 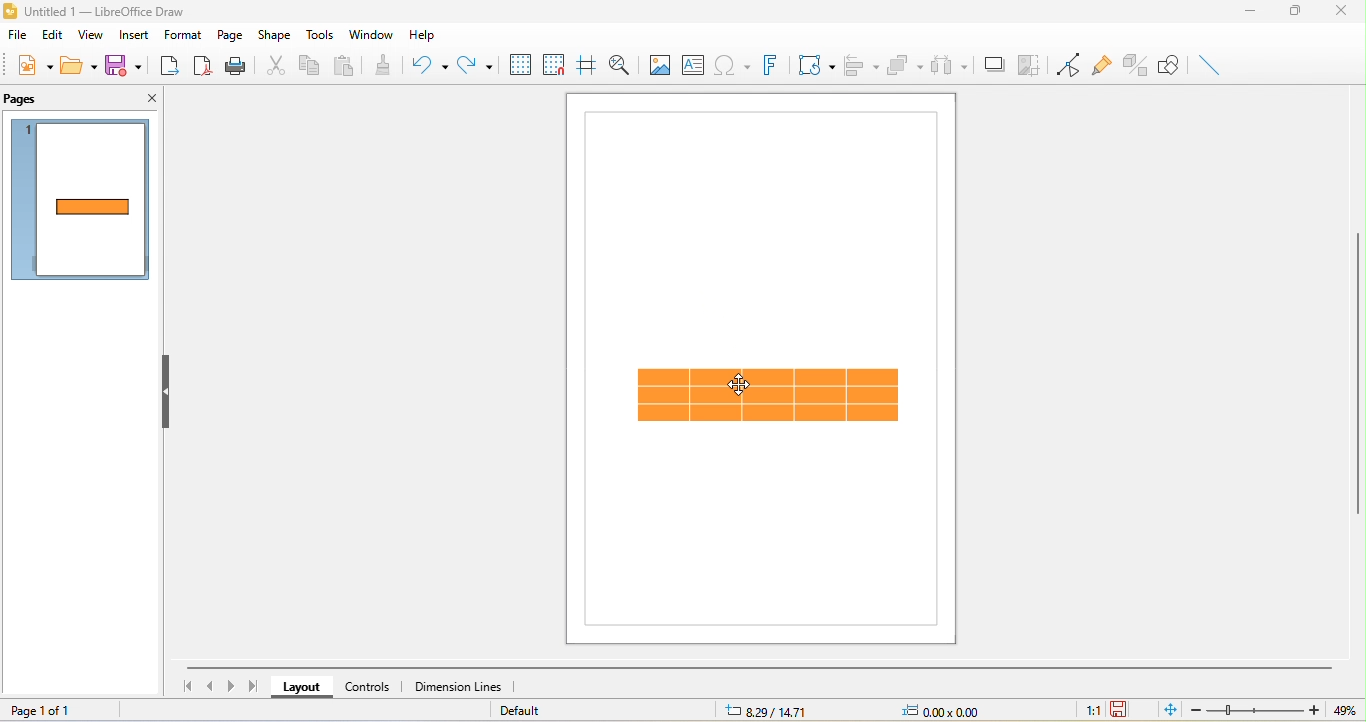 What do you see at coordinates (1104, 64) in the screenshot?
I see `gluepoint function` at bounding box center [1104, 64].